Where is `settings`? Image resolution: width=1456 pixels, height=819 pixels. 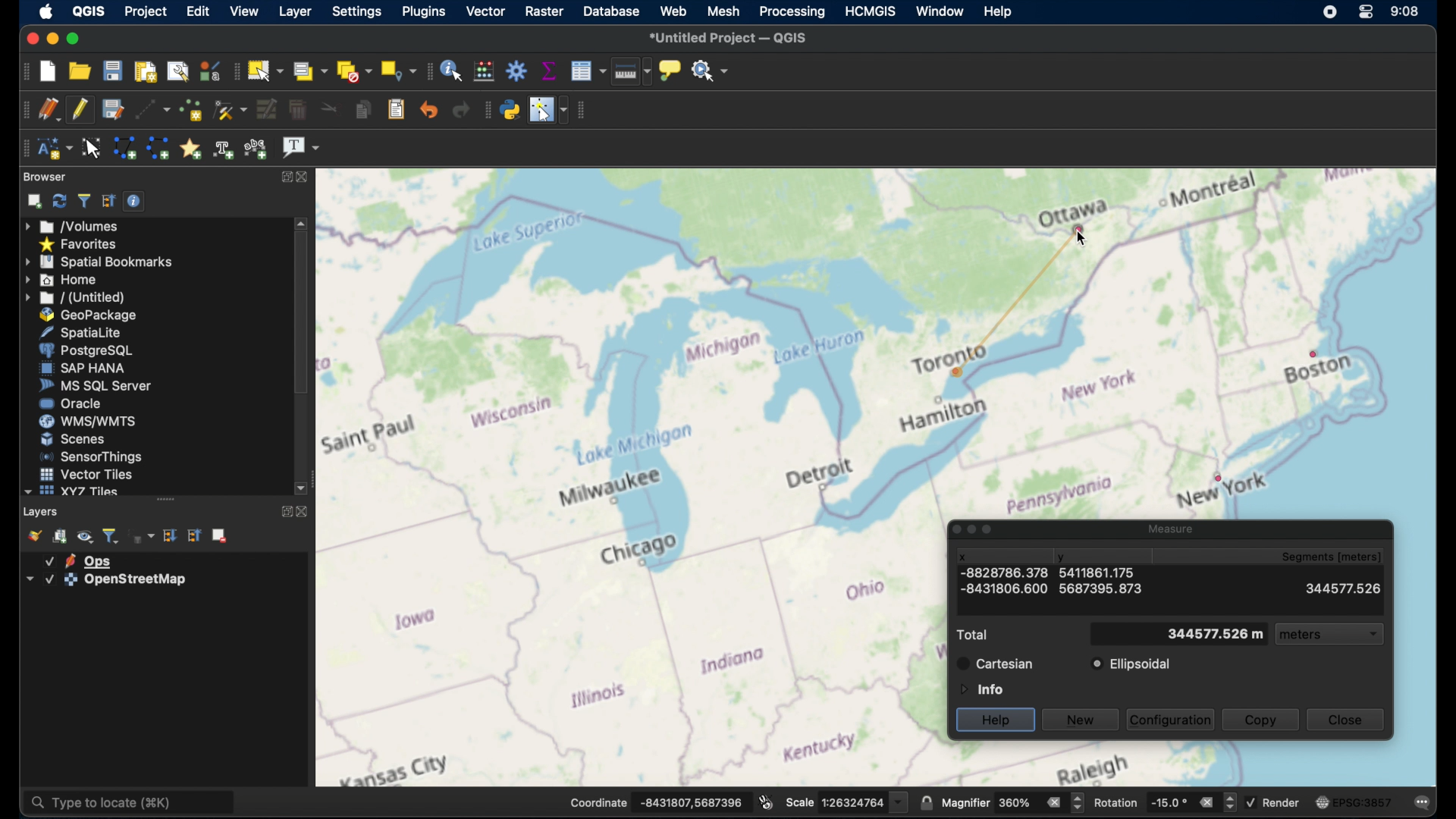 settings is located at coordinates (356, 13).